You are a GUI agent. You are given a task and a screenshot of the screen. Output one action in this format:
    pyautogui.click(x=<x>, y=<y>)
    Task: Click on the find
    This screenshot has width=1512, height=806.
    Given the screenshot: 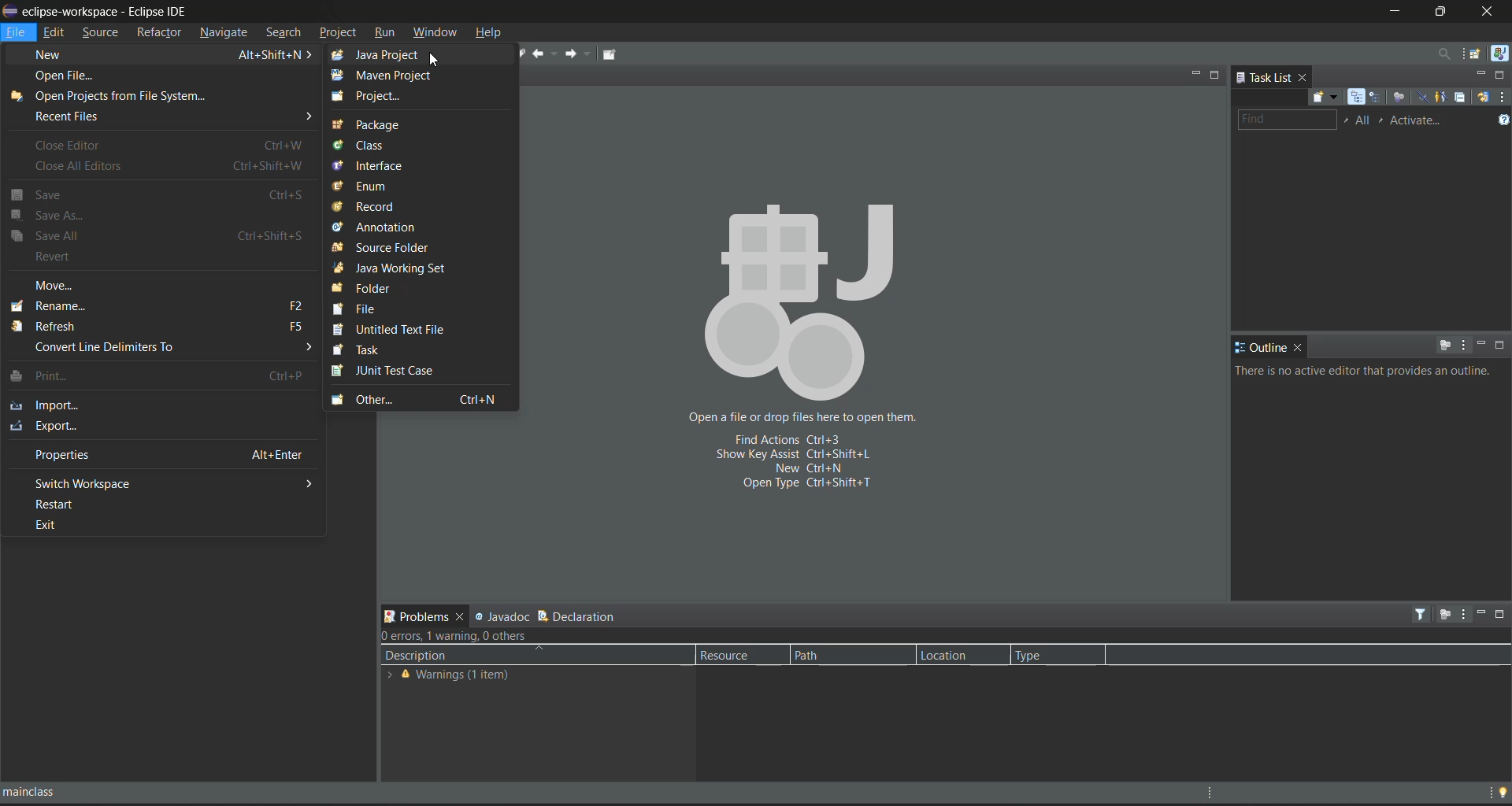 What is the action you would take?
    pyautogui.click(x=1287, y=120)
    